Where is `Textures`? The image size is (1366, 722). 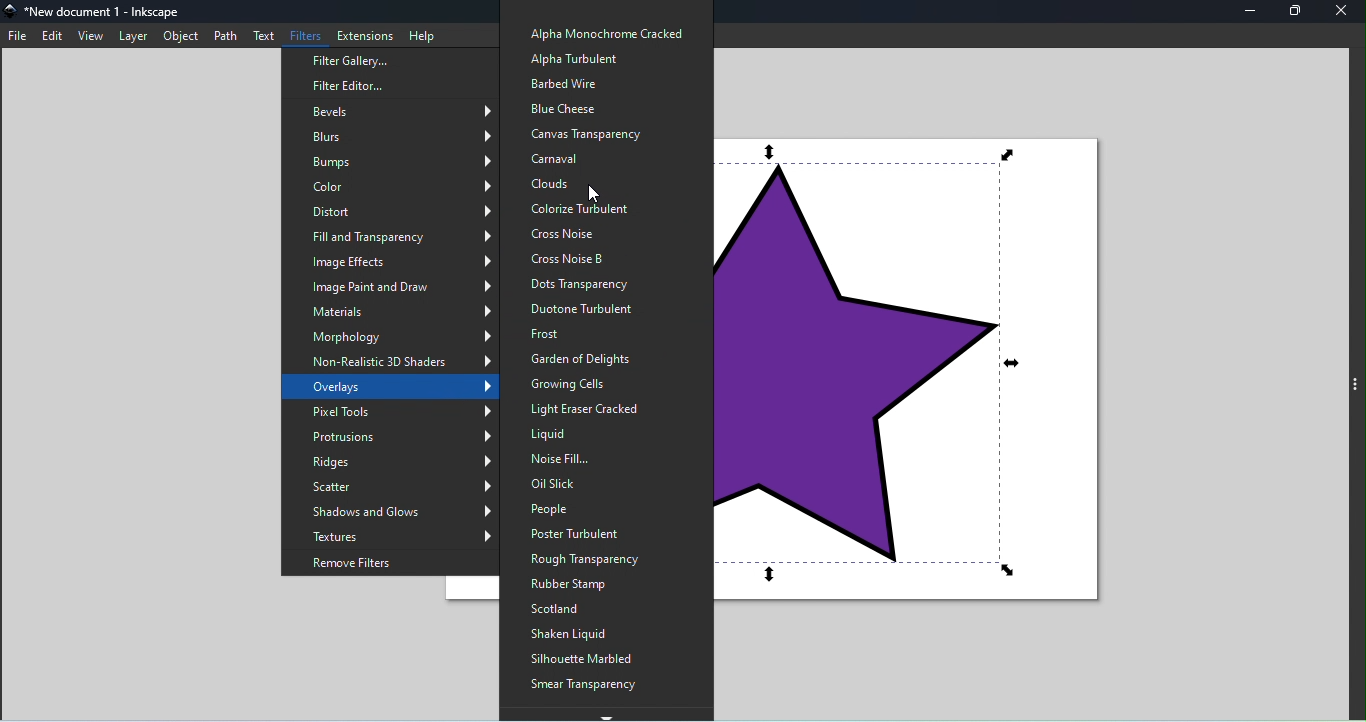 Textures is located at coordinates (398, 536).